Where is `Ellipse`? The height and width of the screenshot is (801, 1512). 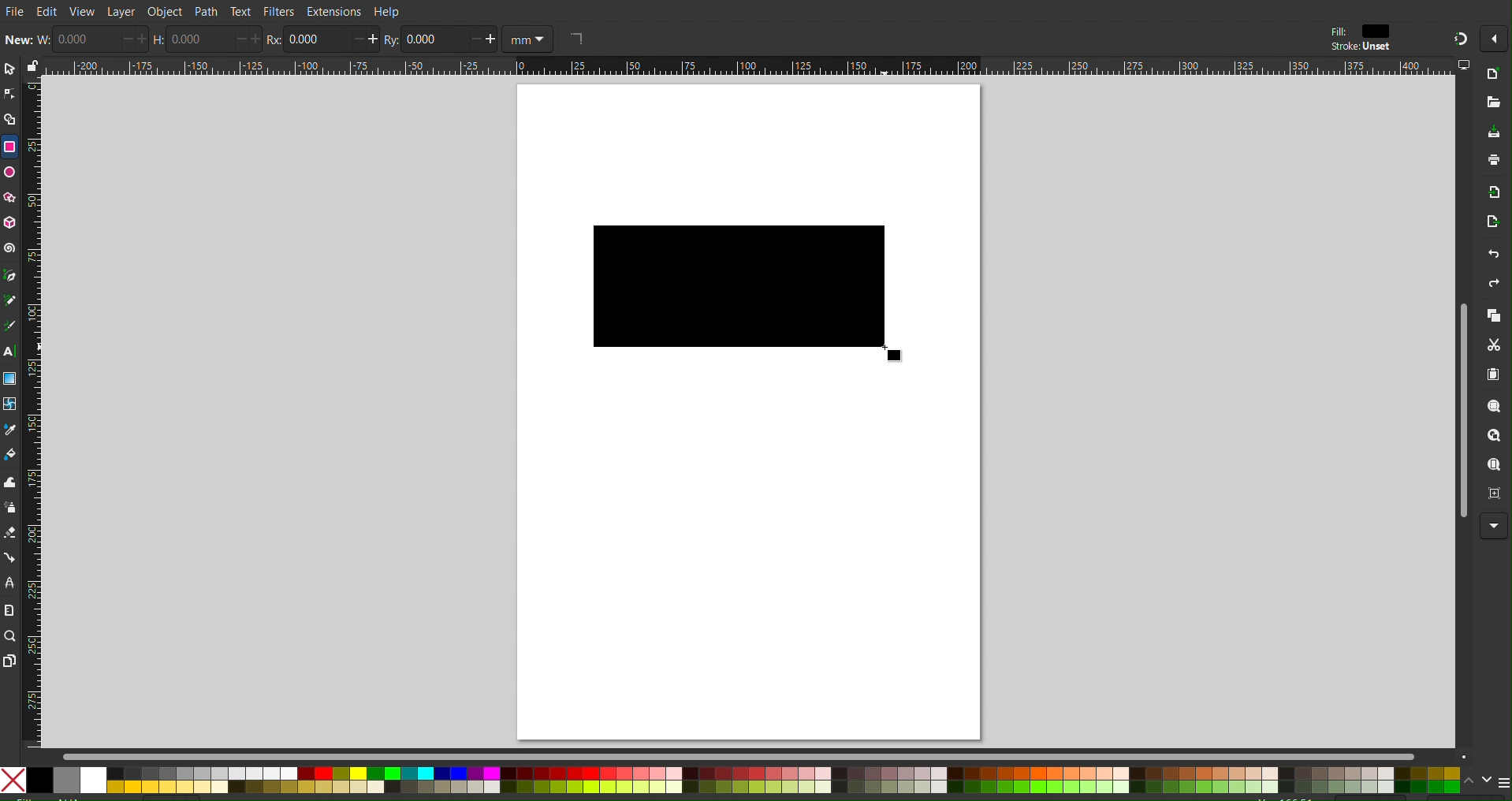
Ellipse is located at coordinates (9, 173).